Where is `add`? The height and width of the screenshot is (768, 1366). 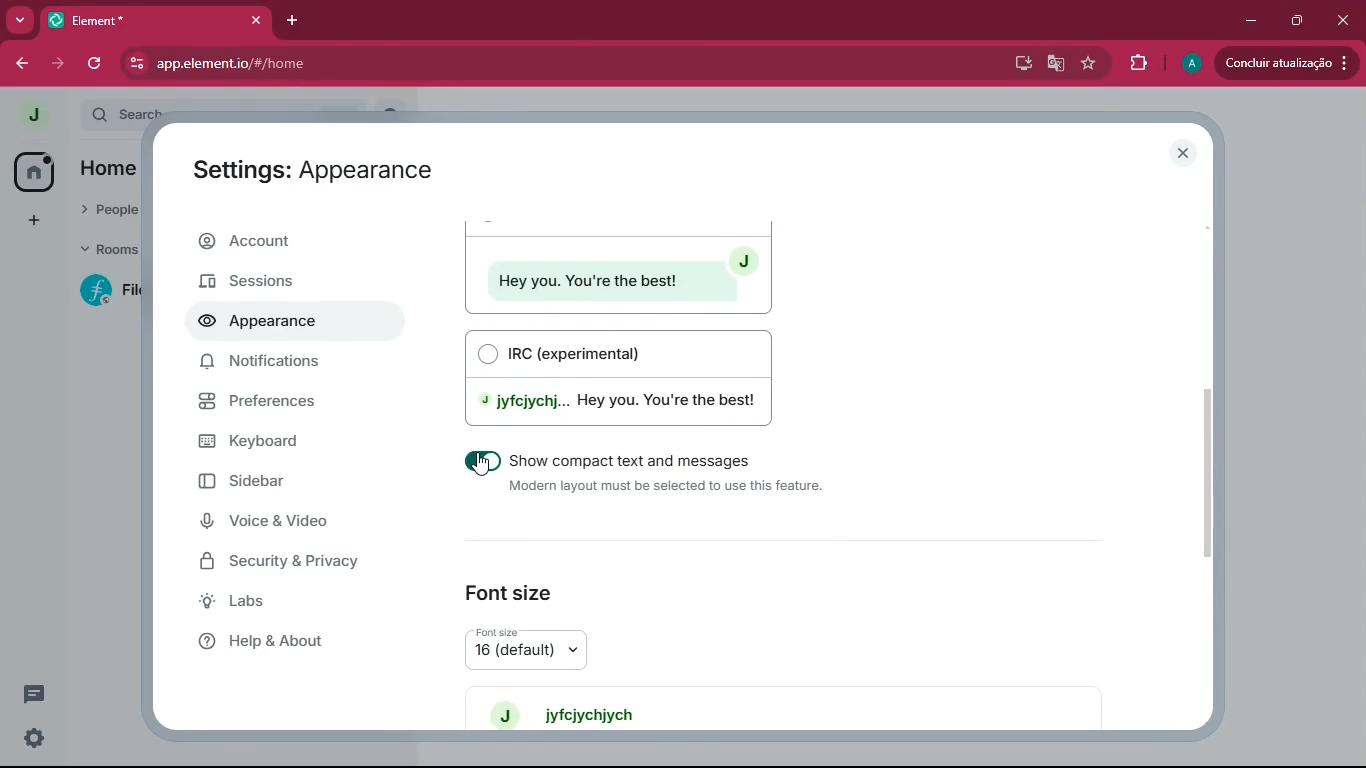
add is located at coordinates (29, 220).